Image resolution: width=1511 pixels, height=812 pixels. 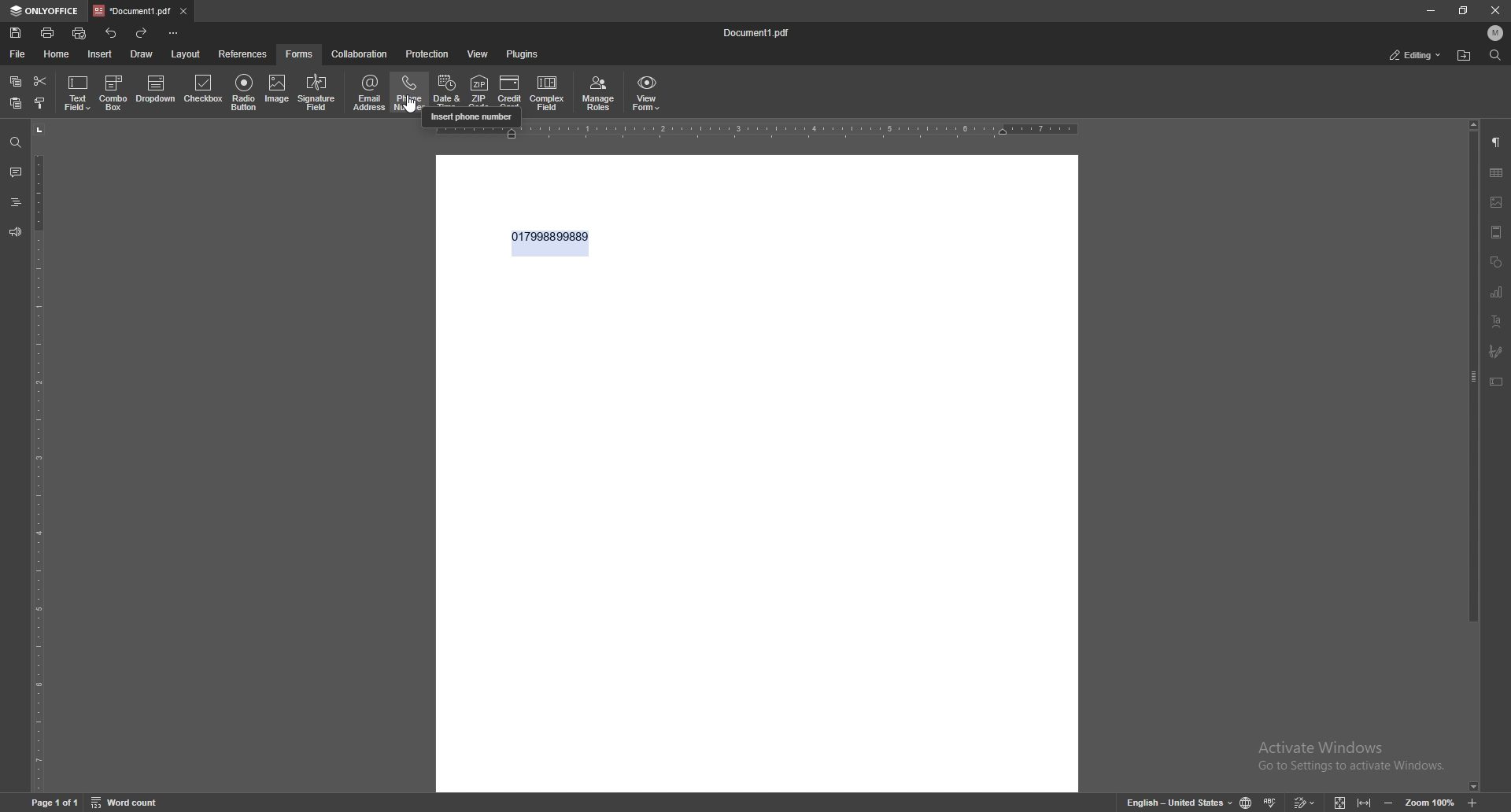 I want to click on copy, so click(x=15, y=81).